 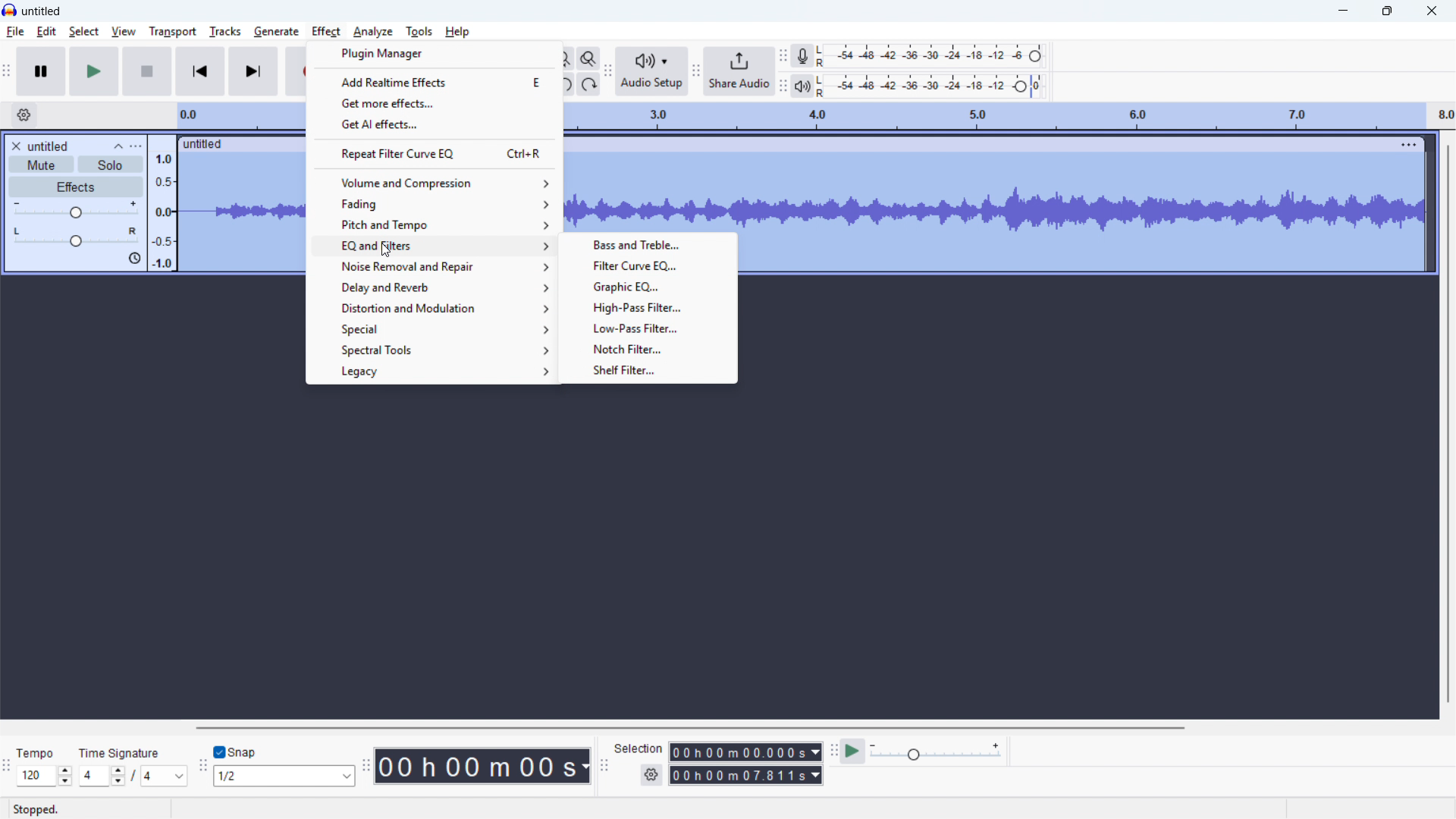 What do you see at coordinates (566, 84) in the screenshot?
I see `Undo ` at bounding box center [566, 84].